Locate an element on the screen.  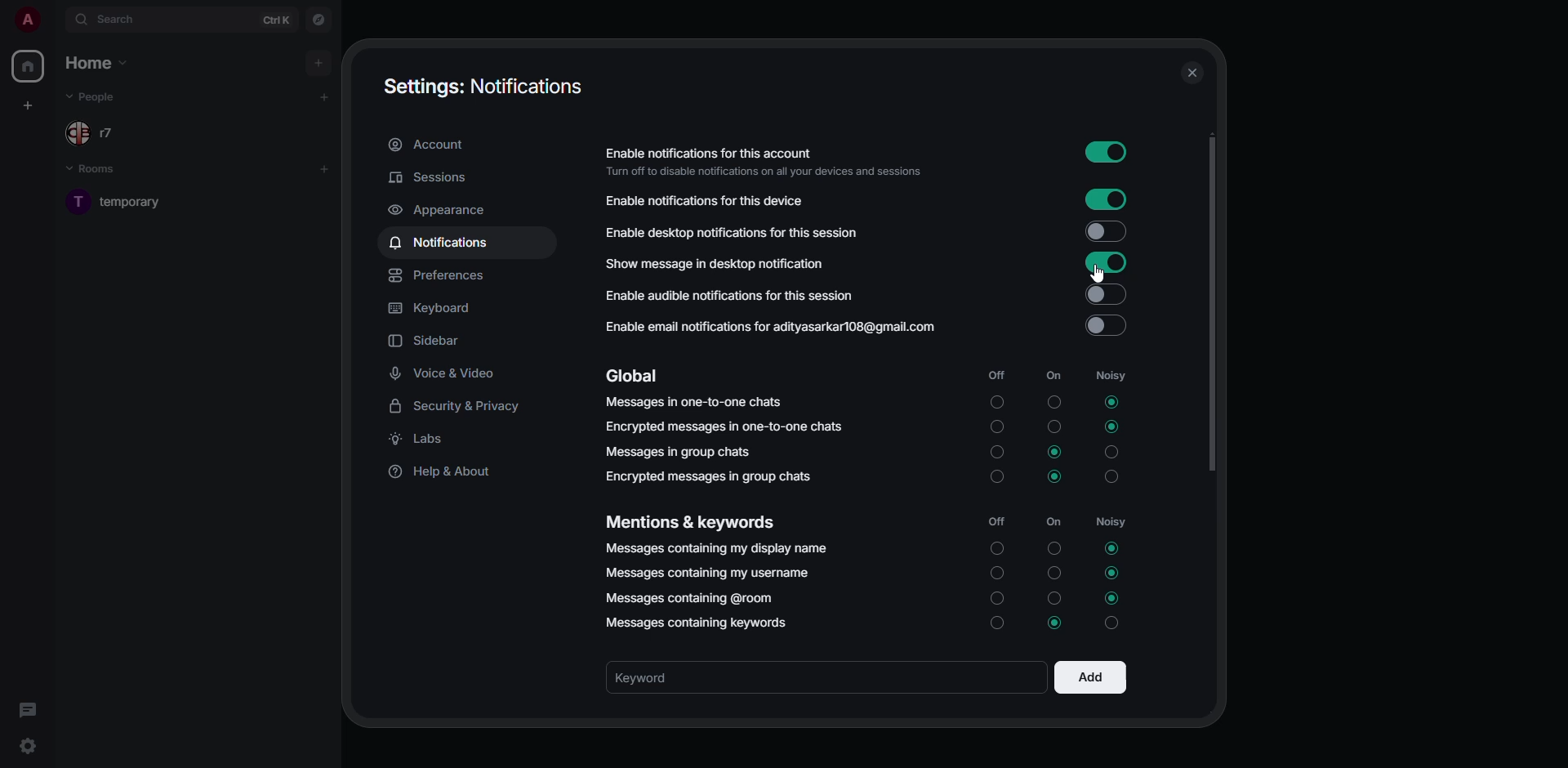
click to enable is located at coordinates (1105, 229).